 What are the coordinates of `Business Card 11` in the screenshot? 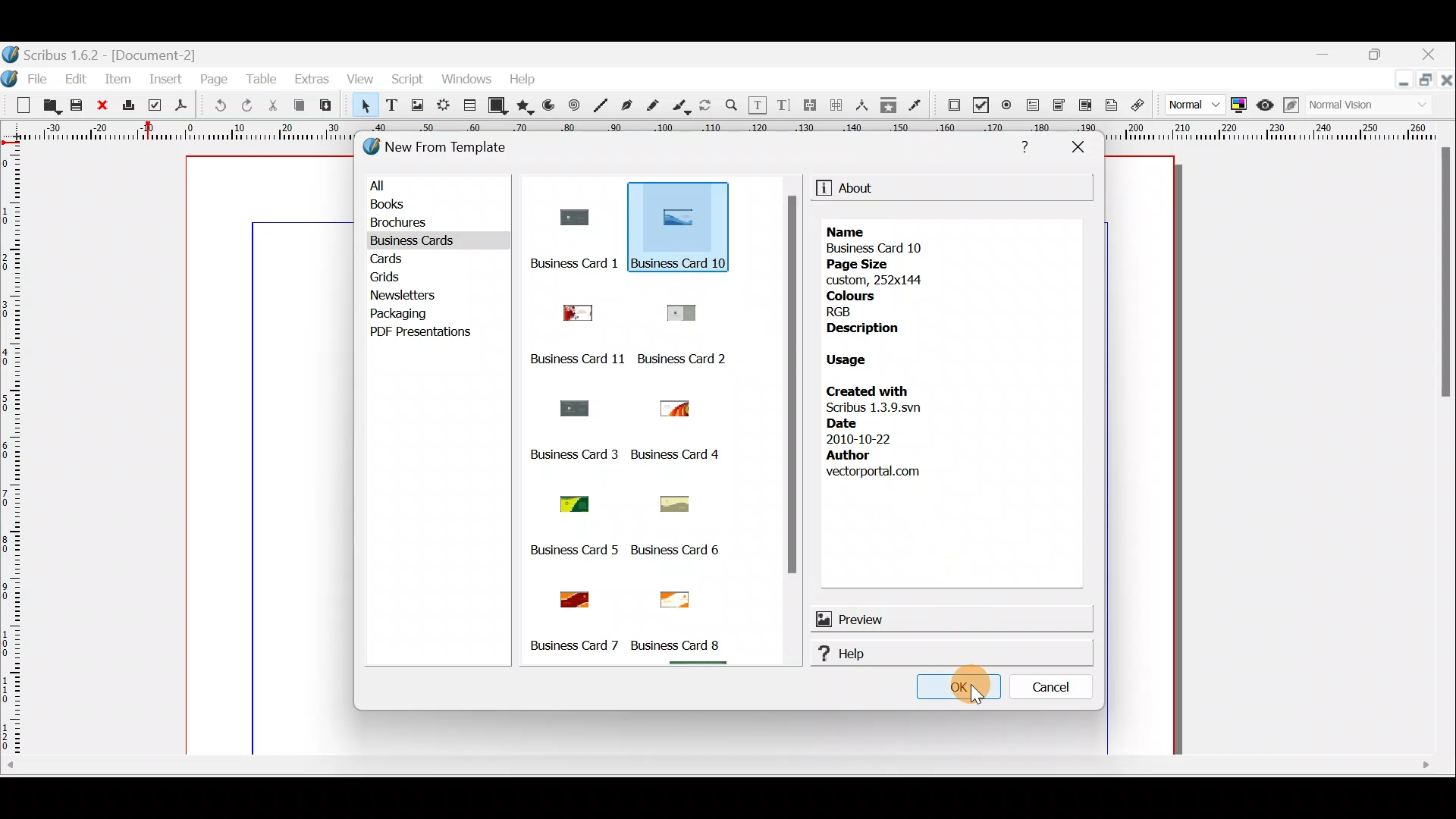 It's located at (576, 358).